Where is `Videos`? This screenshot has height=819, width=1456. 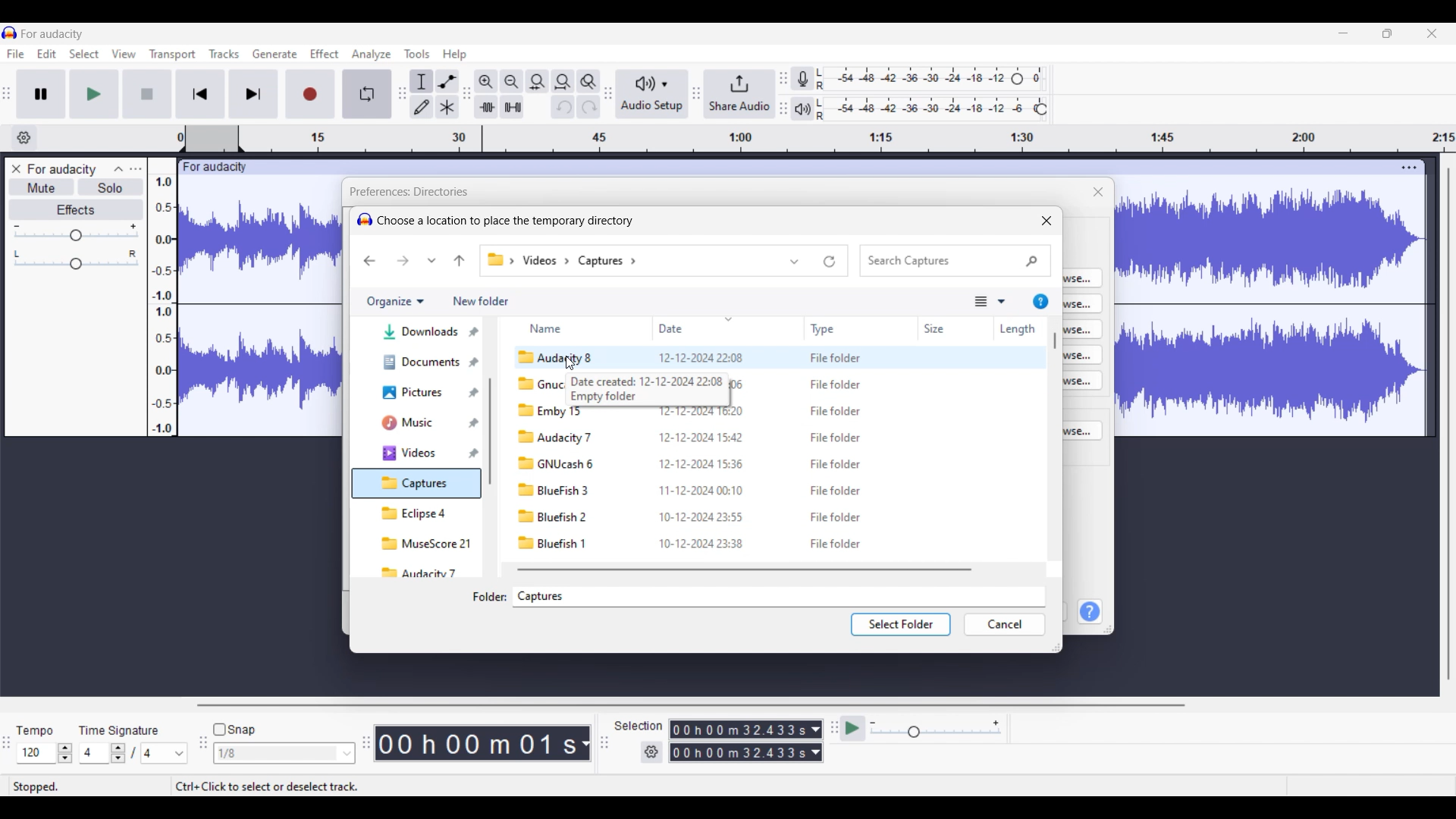
Videos is located at coordinates (421, 453).